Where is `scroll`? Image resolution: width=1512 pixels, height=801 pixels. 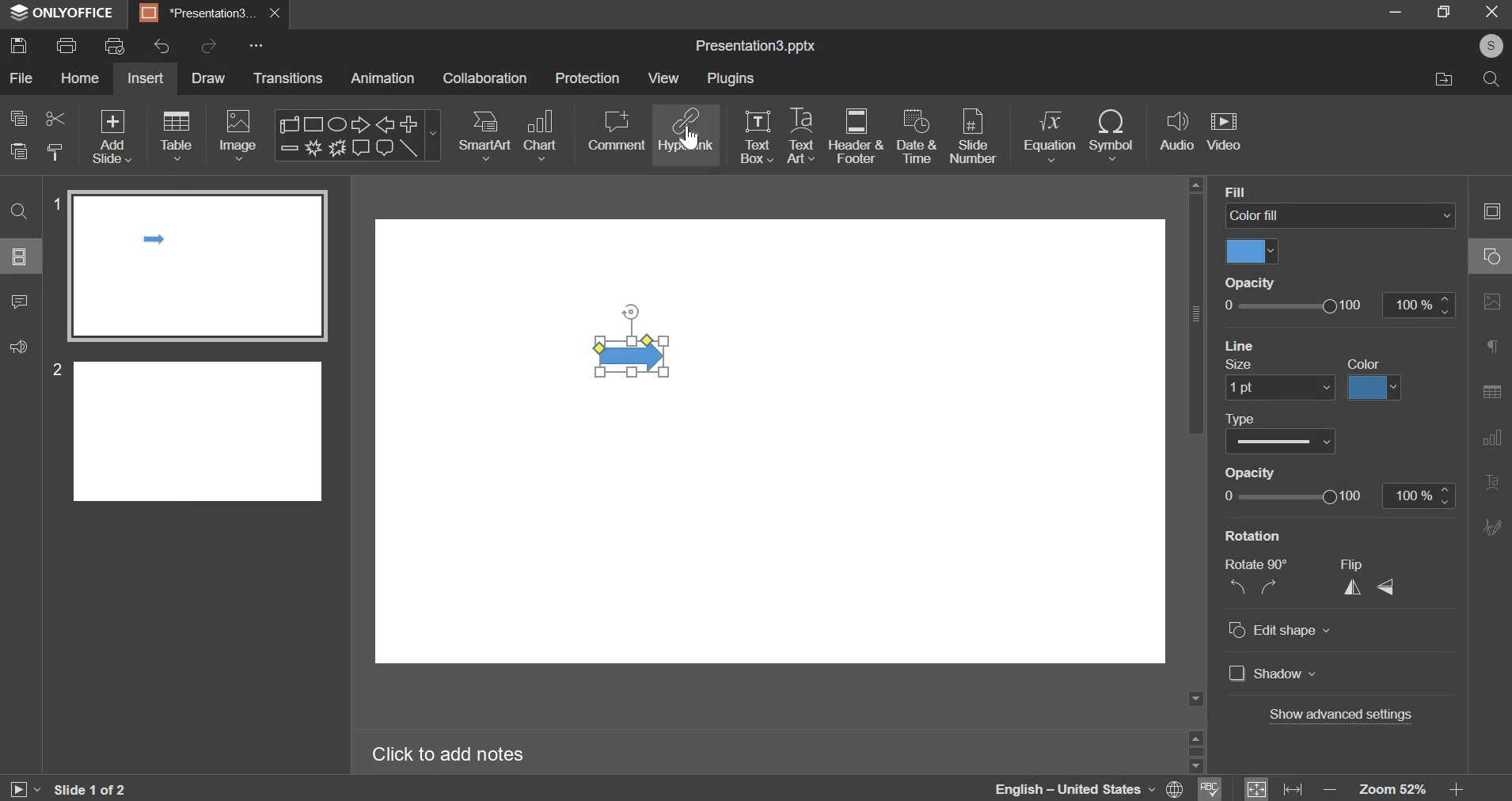
scroll is located at coordinates (291, 123).